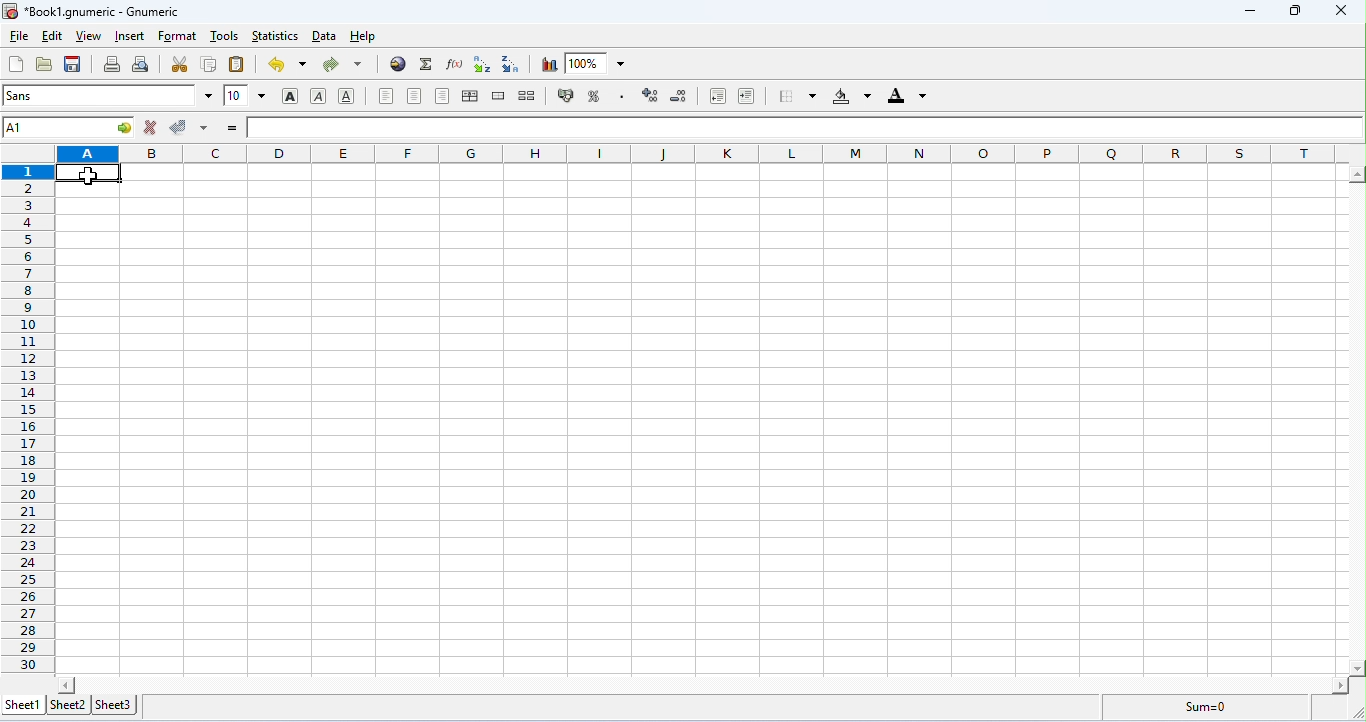 The image size is (1366, 722). Describe the element at coordinates (388, 94) in the screenshot. I see `align left` at that location.